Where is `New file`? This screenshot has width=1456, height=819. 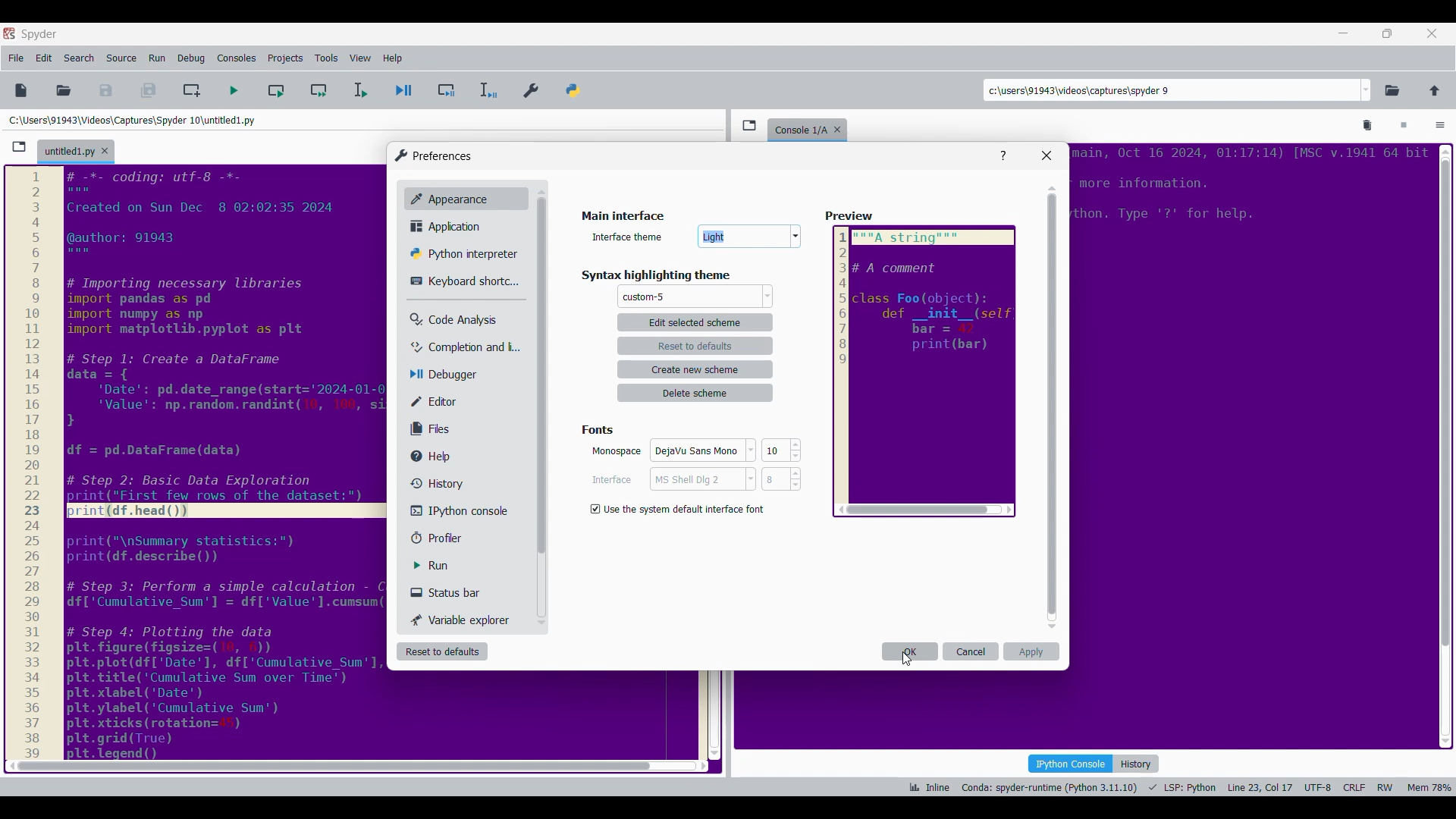
New file is located at coordinates (20, 90).